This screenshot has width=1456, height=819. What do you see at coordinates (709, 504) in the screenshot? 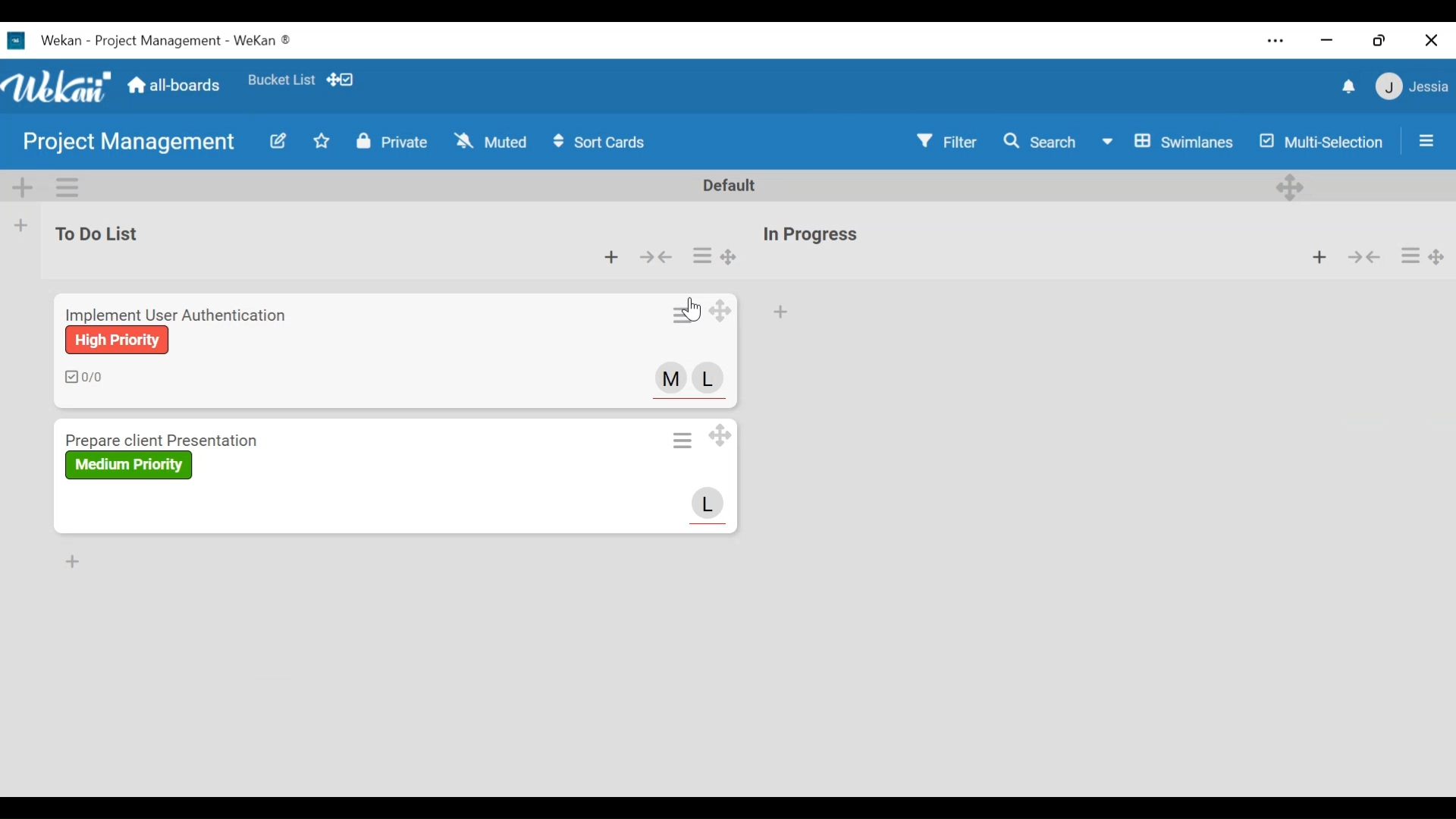
I see `member` at bounding box center [709, 504].